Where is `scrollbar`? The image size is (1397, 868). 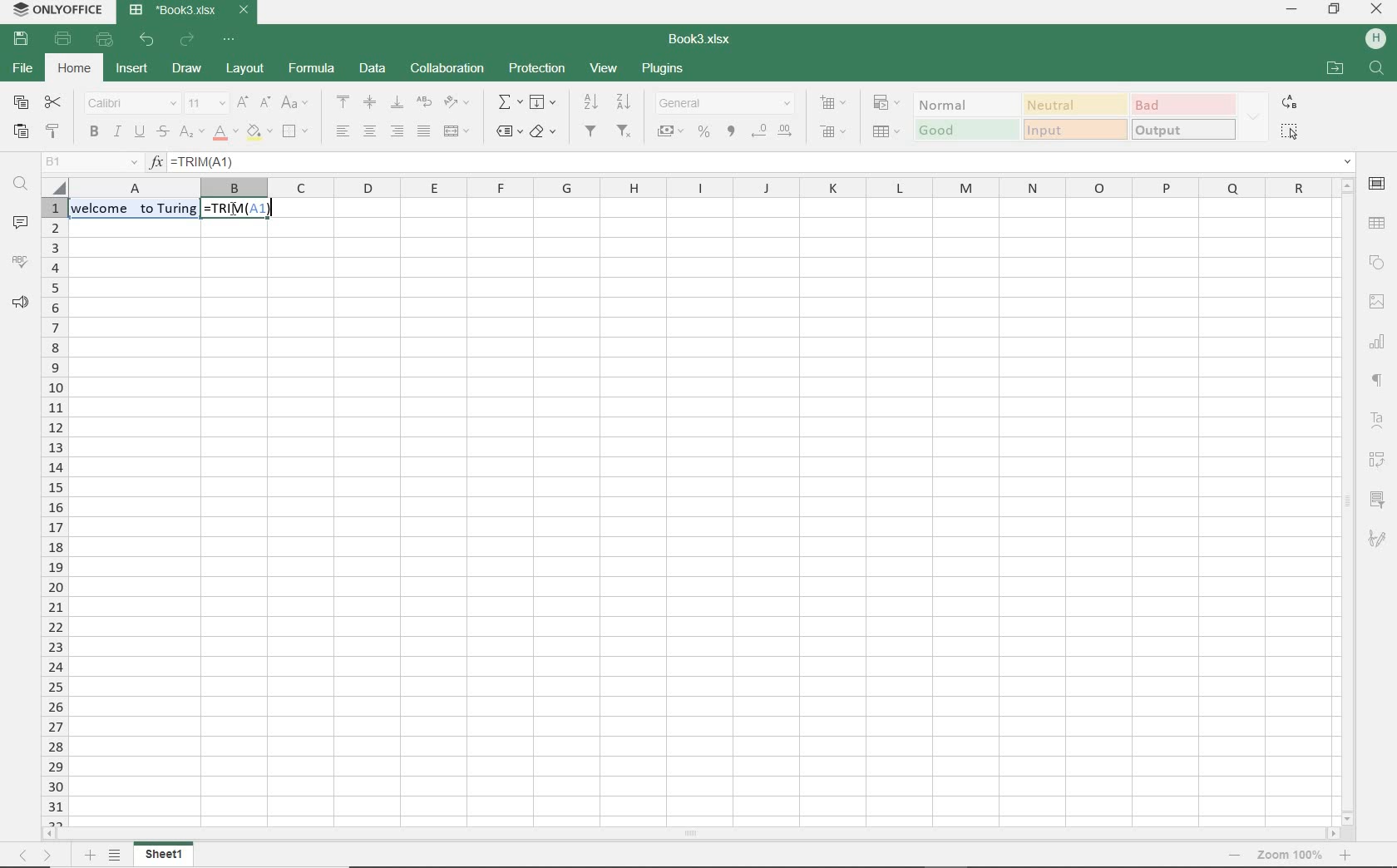
scrollbar is located at coordinates (691, 834).